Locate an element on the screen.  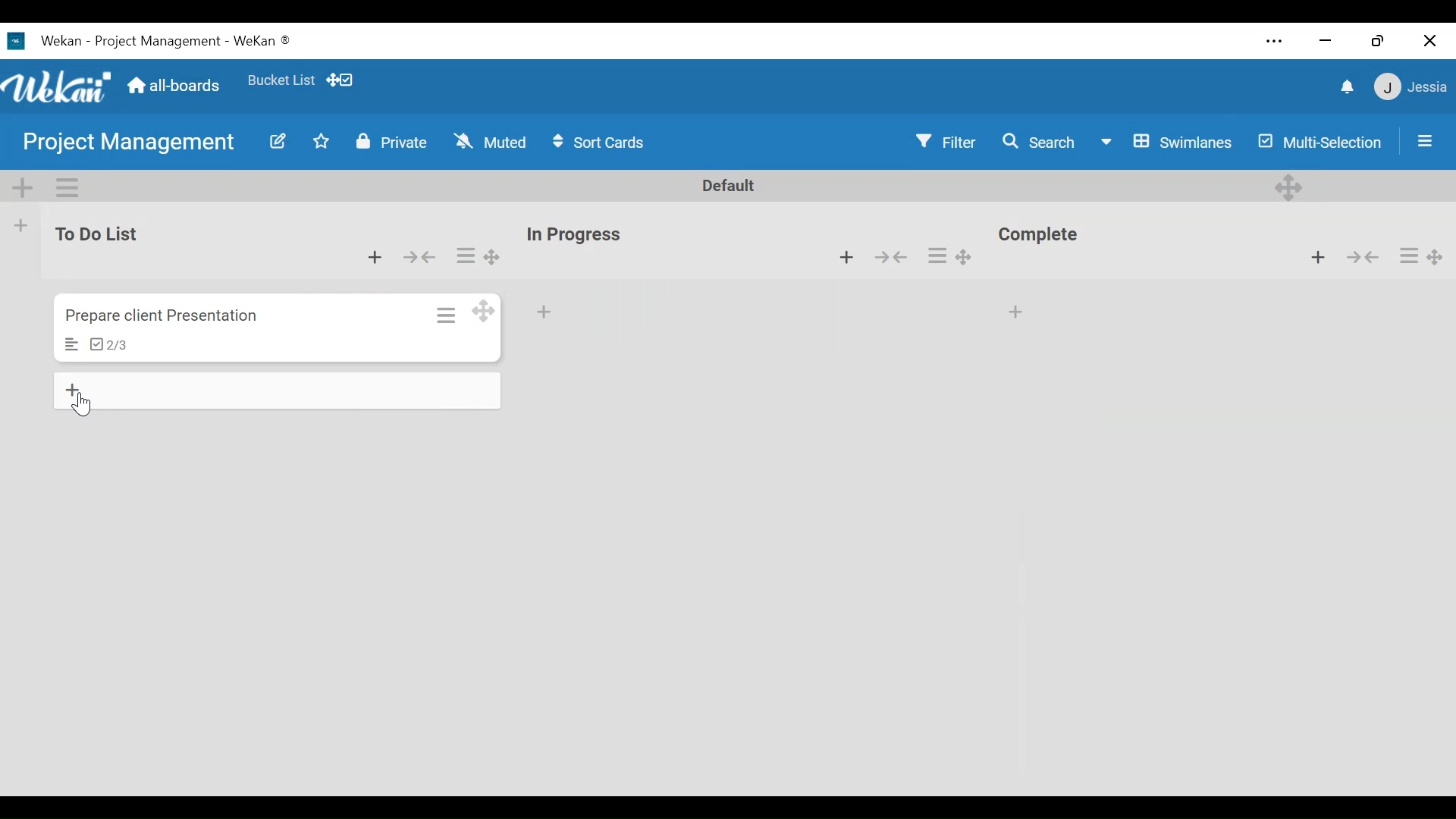
Card actions is located at coordinates (444, 313).